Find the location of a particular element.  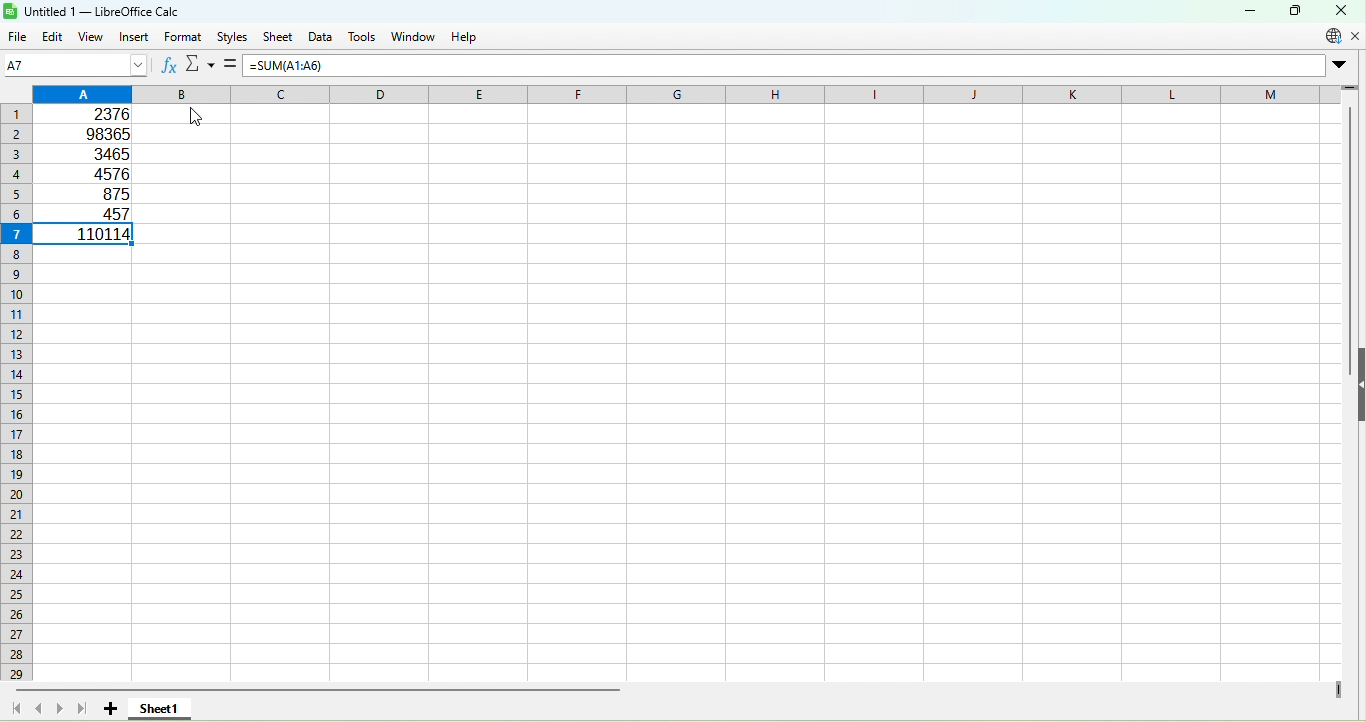

Scroll to last sheet is located at coordinates (83, 709).